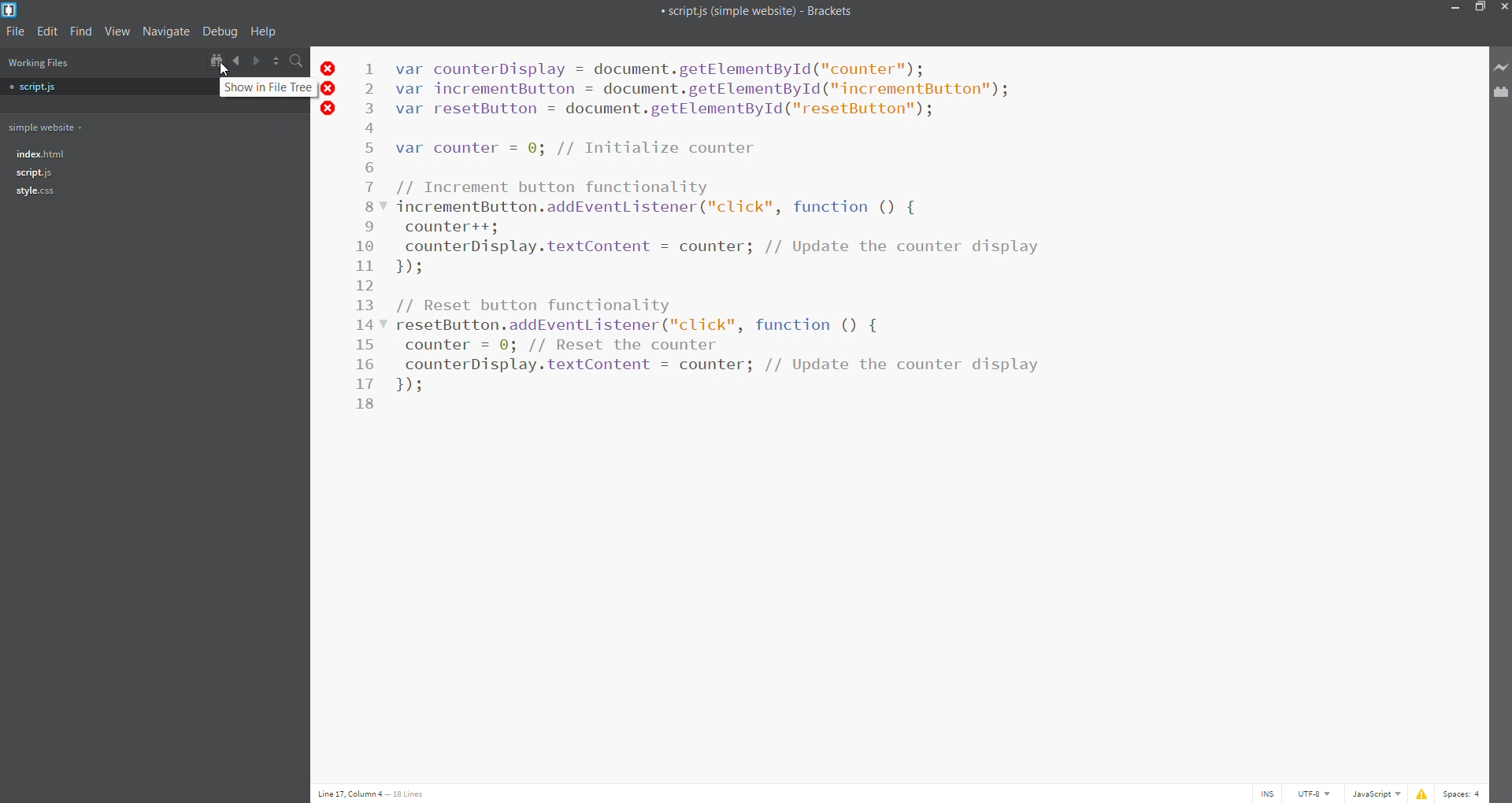  Describe the element at coordinates (39, 154) in the screenshot. I see `index.html` at that location.